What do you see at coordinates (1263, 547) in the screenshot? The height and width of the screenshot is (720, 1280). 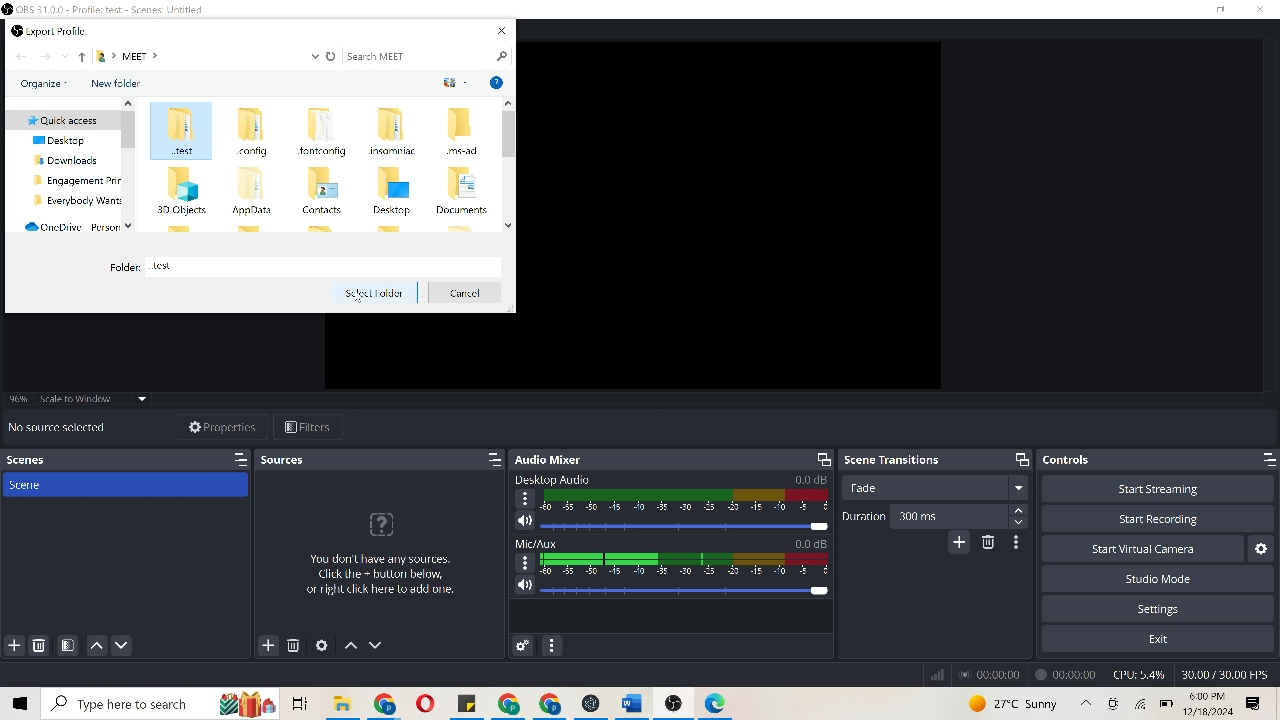 I see `Configure virtual camera` at bounding box center [1263, 547].